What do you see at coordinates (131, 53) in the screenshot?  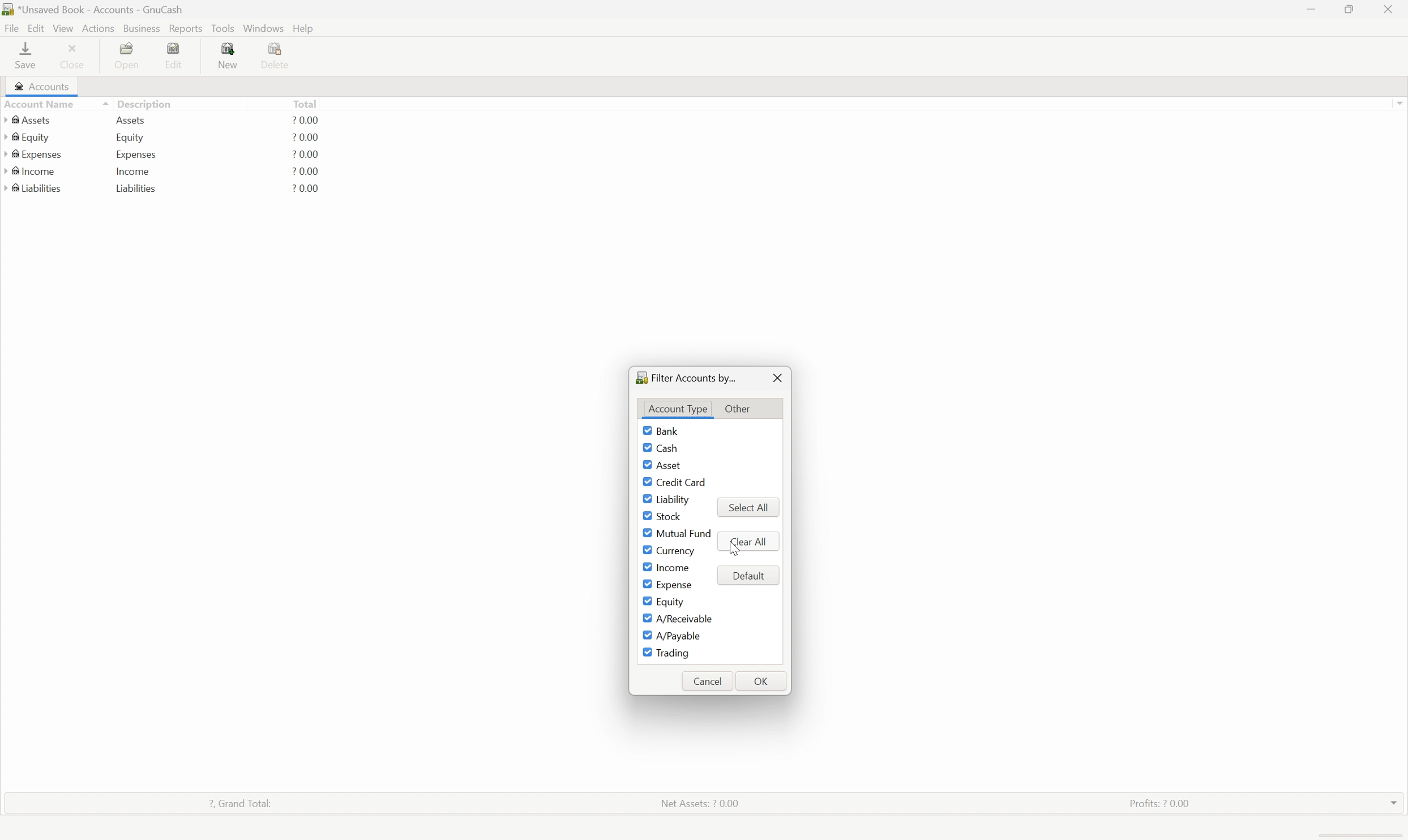 I see `Open` at bounding box center [131, 53].